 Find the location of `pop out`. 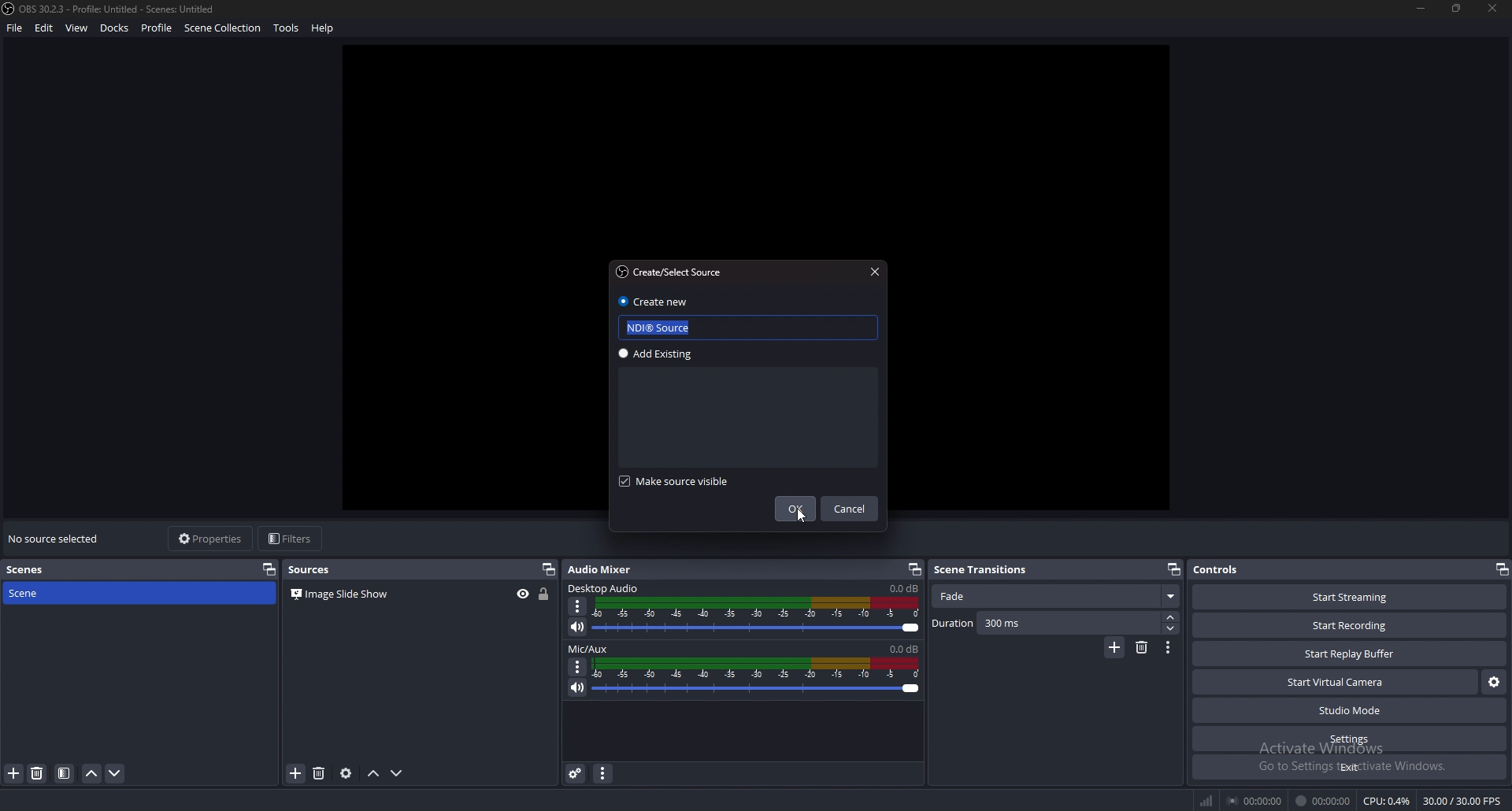

pop out is located at coordinates (914, 569).